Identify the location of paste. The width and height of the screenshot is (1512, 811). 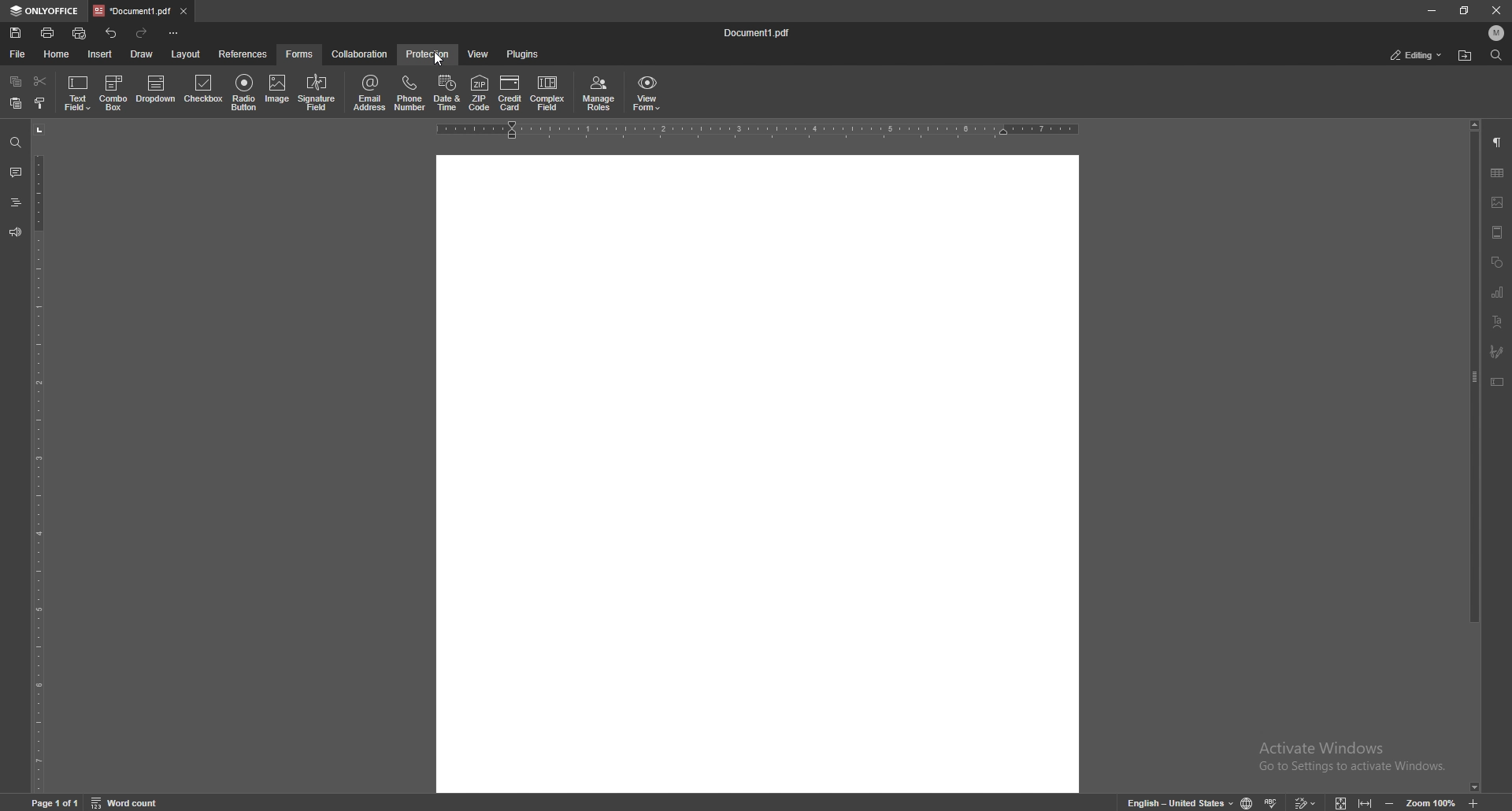
(15, 104).